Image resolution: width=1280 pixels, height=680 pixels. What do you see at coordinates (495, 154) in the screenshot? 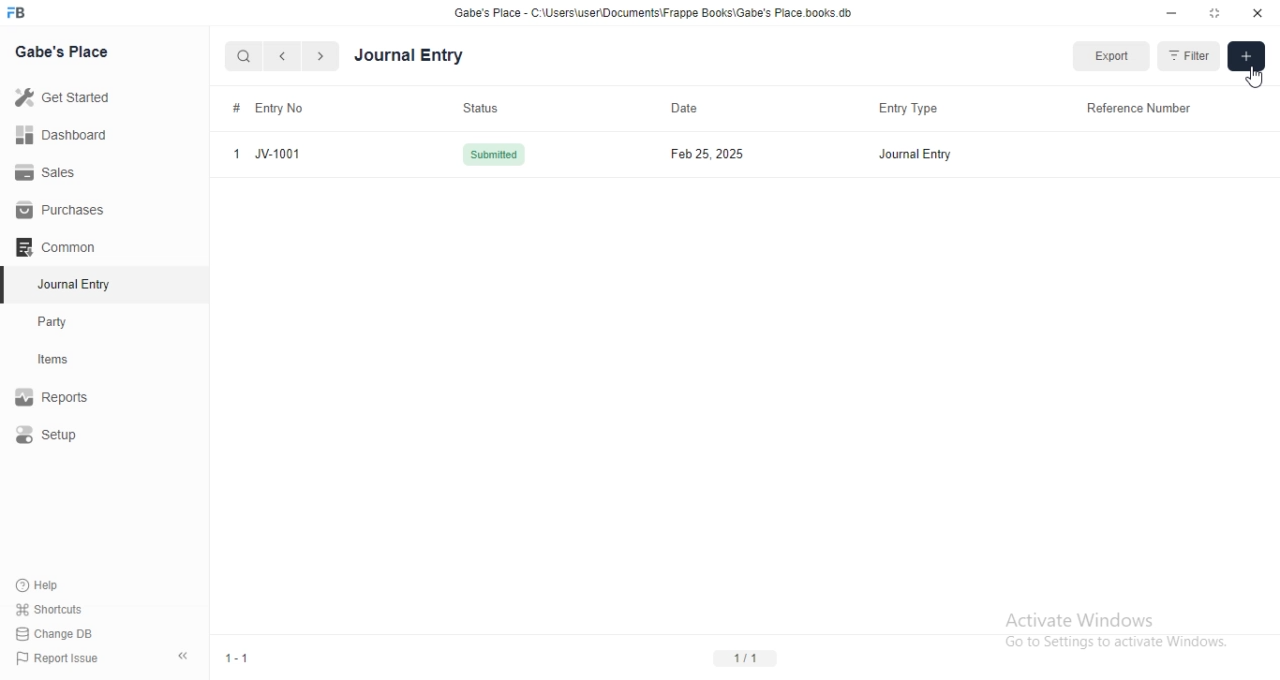
I see `Submitted` at bounding box center [495, 154].